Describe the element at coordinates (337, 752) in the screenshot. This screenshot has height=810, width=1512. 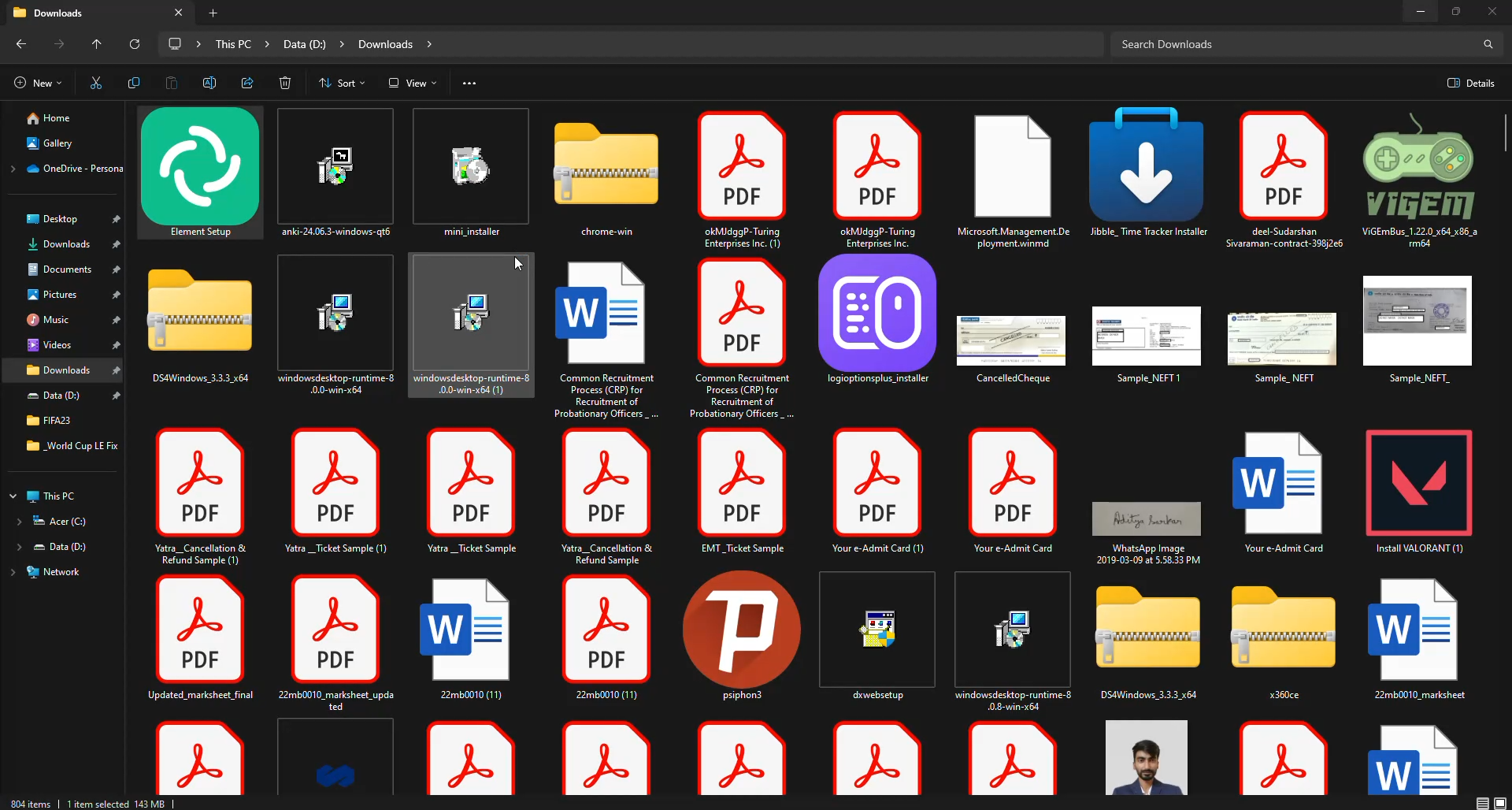
I see `file` at that location.